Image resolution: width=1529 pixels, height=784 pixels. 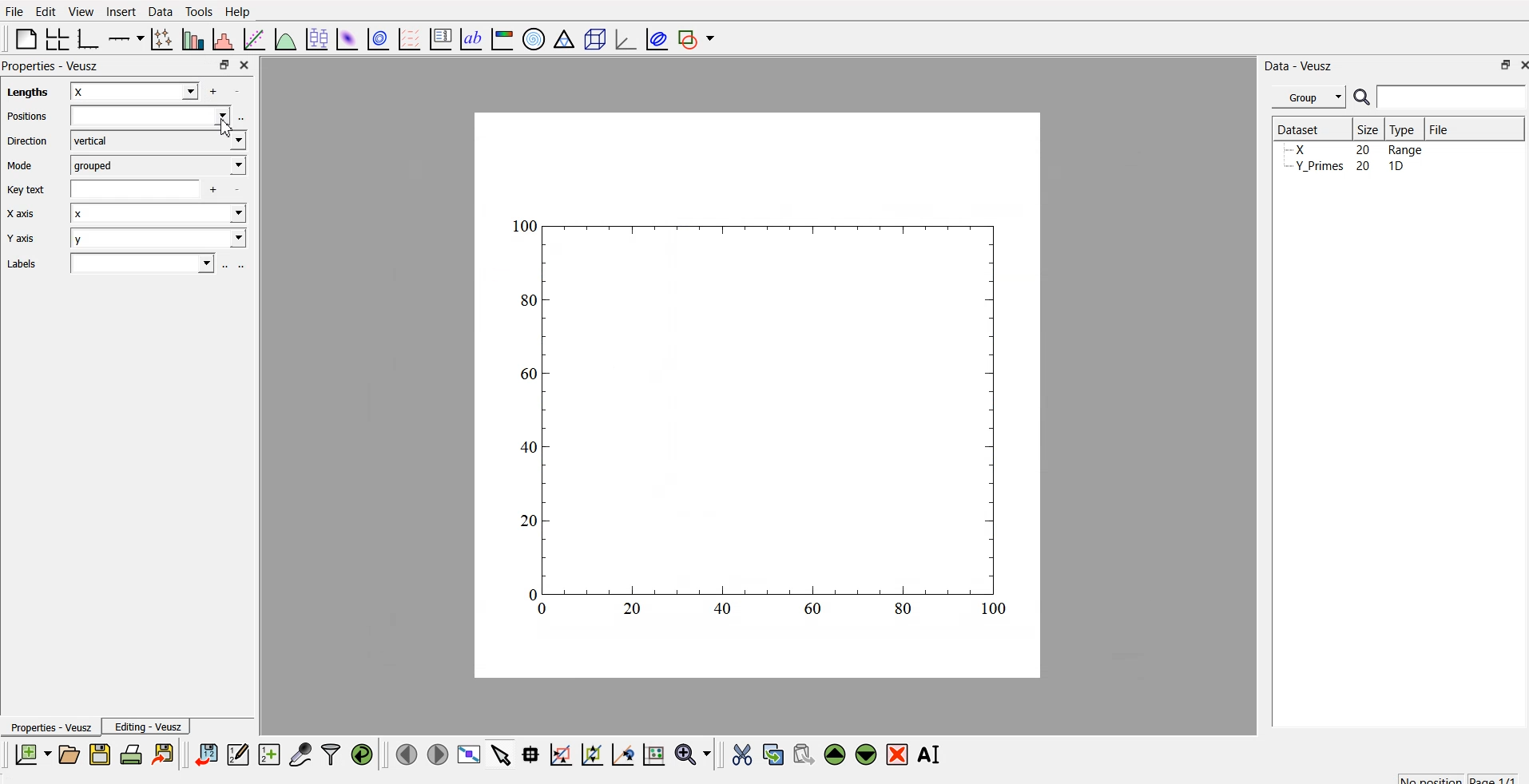 What do you see at coordinates (701, 37) in the screenshot?
I see `add shape to plot` at bounding box center [701, 37].